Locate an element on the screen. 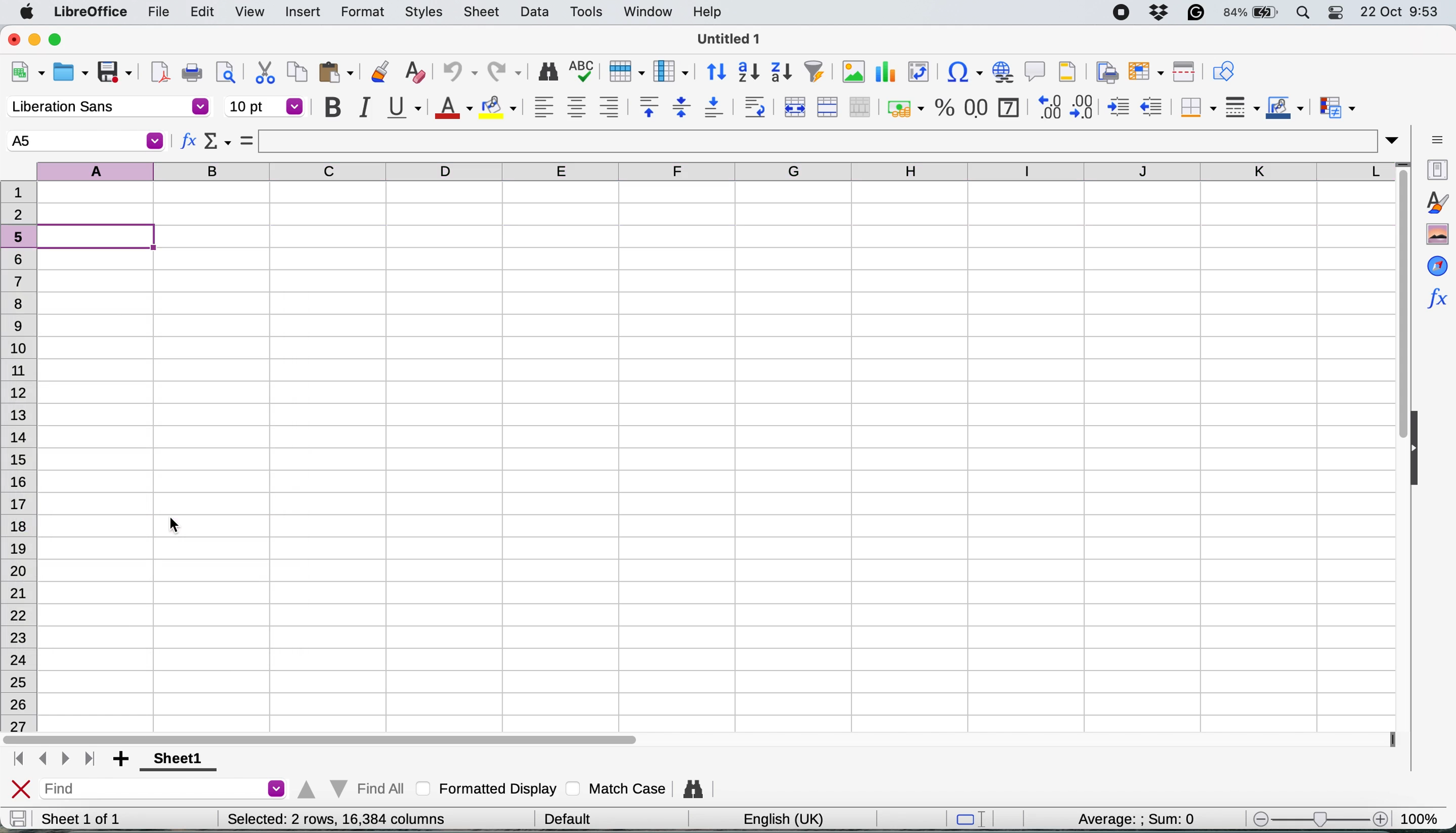 The height and width of the screenshot is (833, 1456). formula  is located at coordinates (247, 140).